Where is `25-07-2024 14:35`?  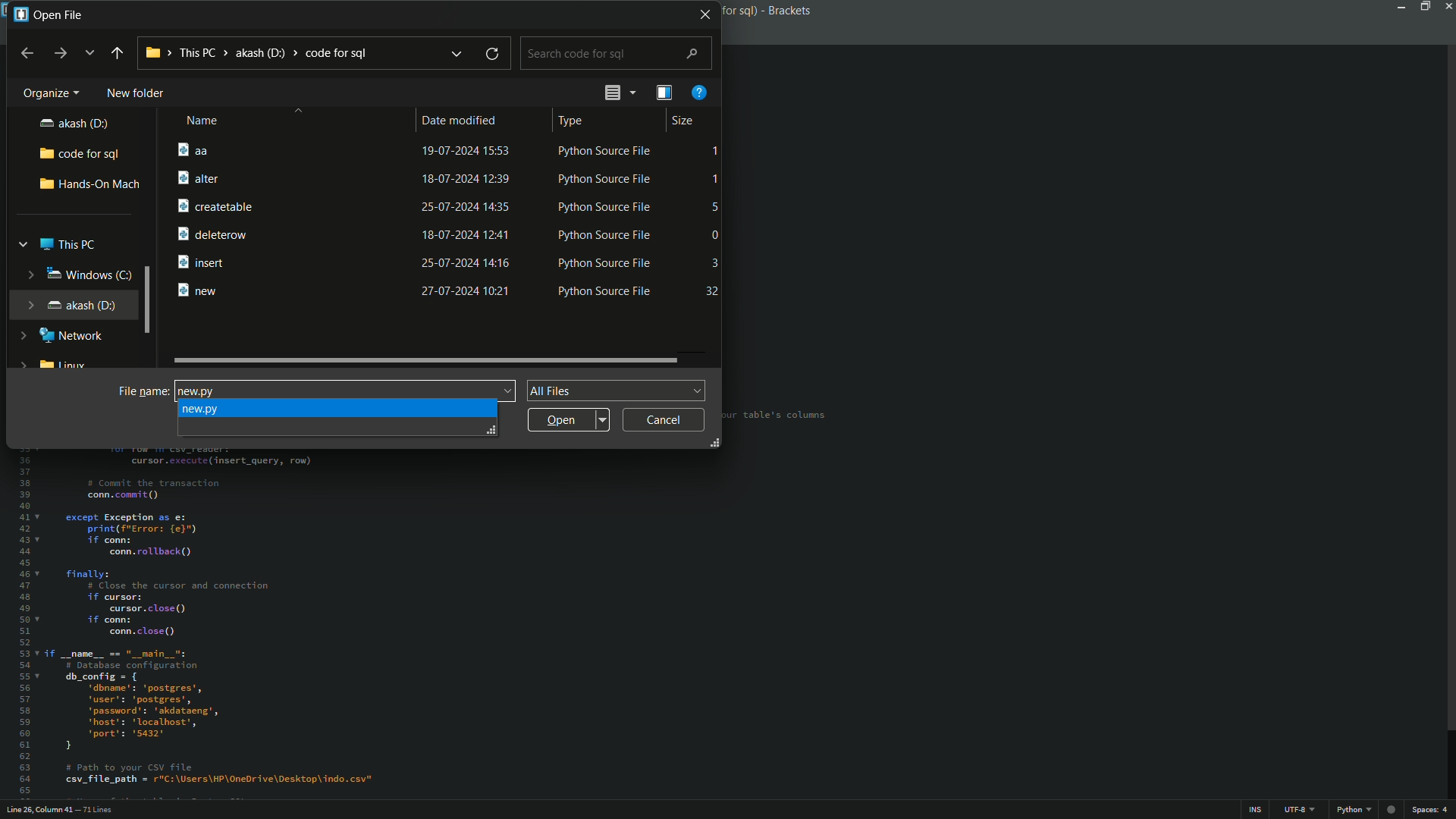 25-07-2024 14:35 is located at coordinates (466, 207).